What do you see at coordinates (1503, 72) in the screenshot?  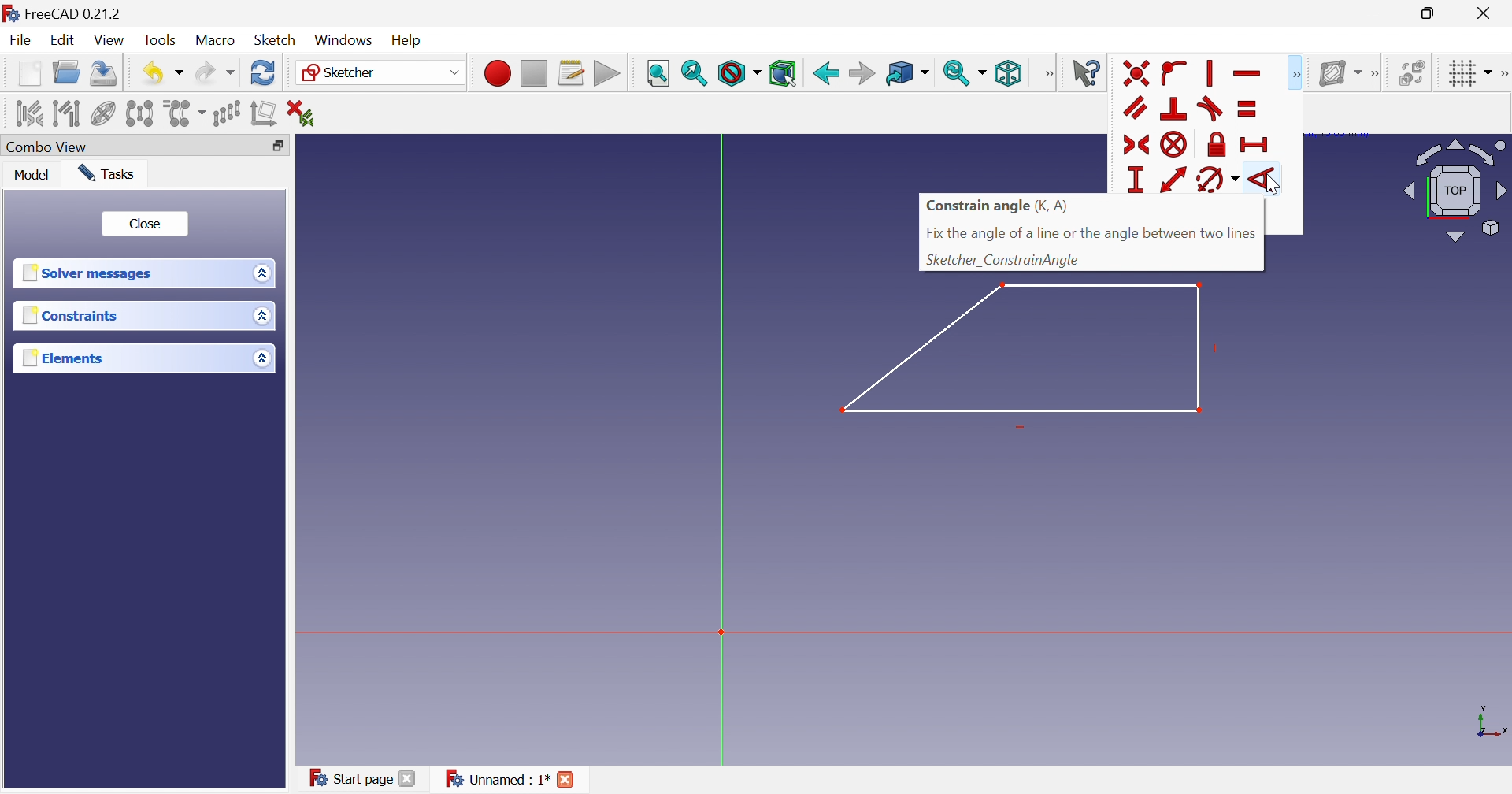 I see `More` at bounding box center [1503, 72].